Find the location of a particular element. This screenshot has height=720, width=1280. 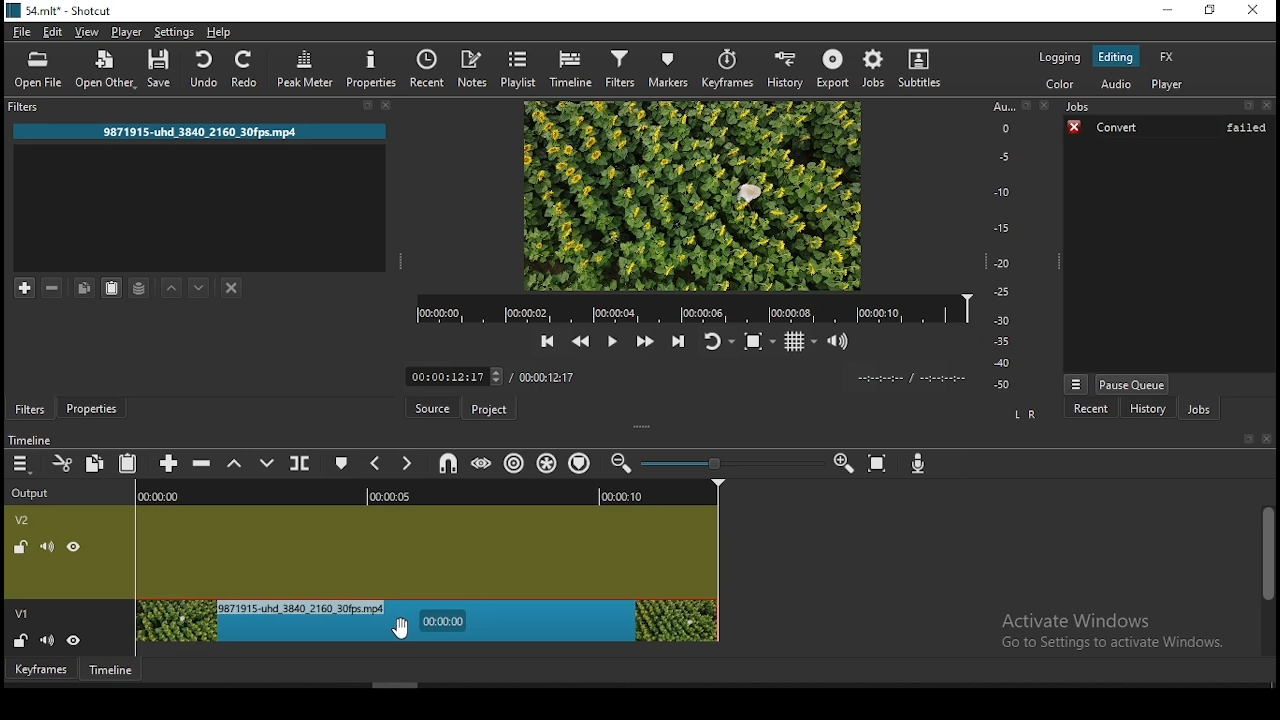

undo is located at coordinates (205, 70).